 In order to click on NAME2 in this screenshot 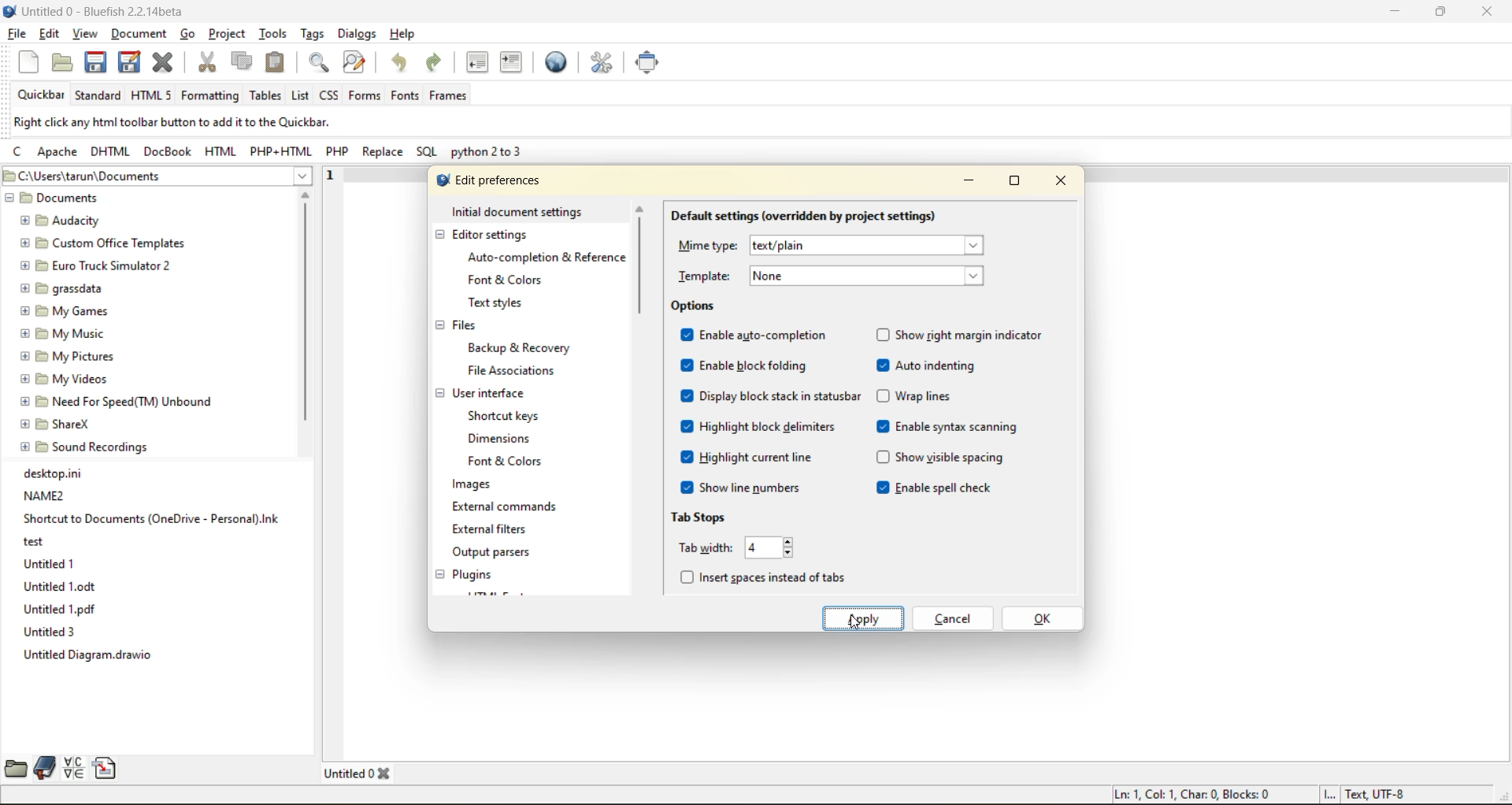, I will do `click(45, 495)`.